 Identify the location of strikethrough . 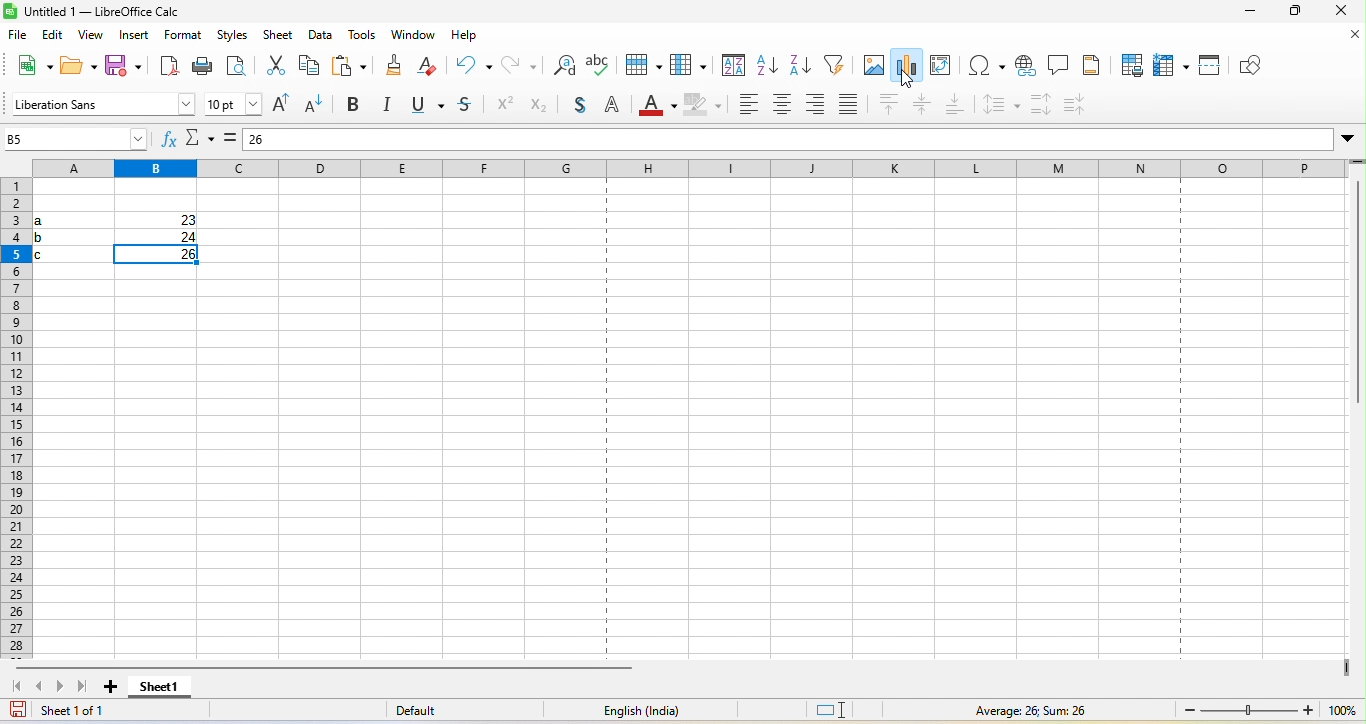
(466, 108).